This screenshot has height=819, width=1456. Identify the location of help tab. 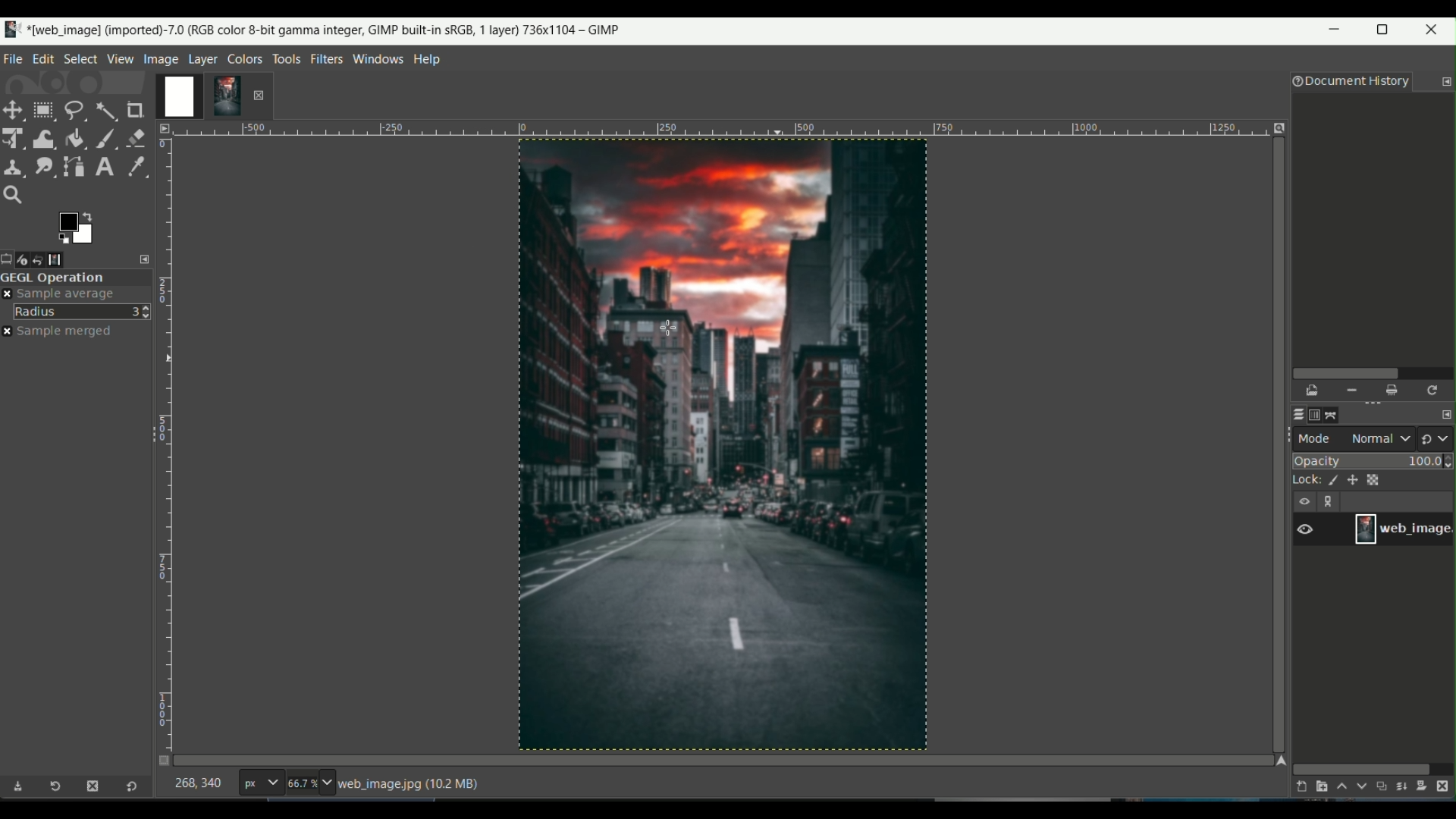
(428, 58).